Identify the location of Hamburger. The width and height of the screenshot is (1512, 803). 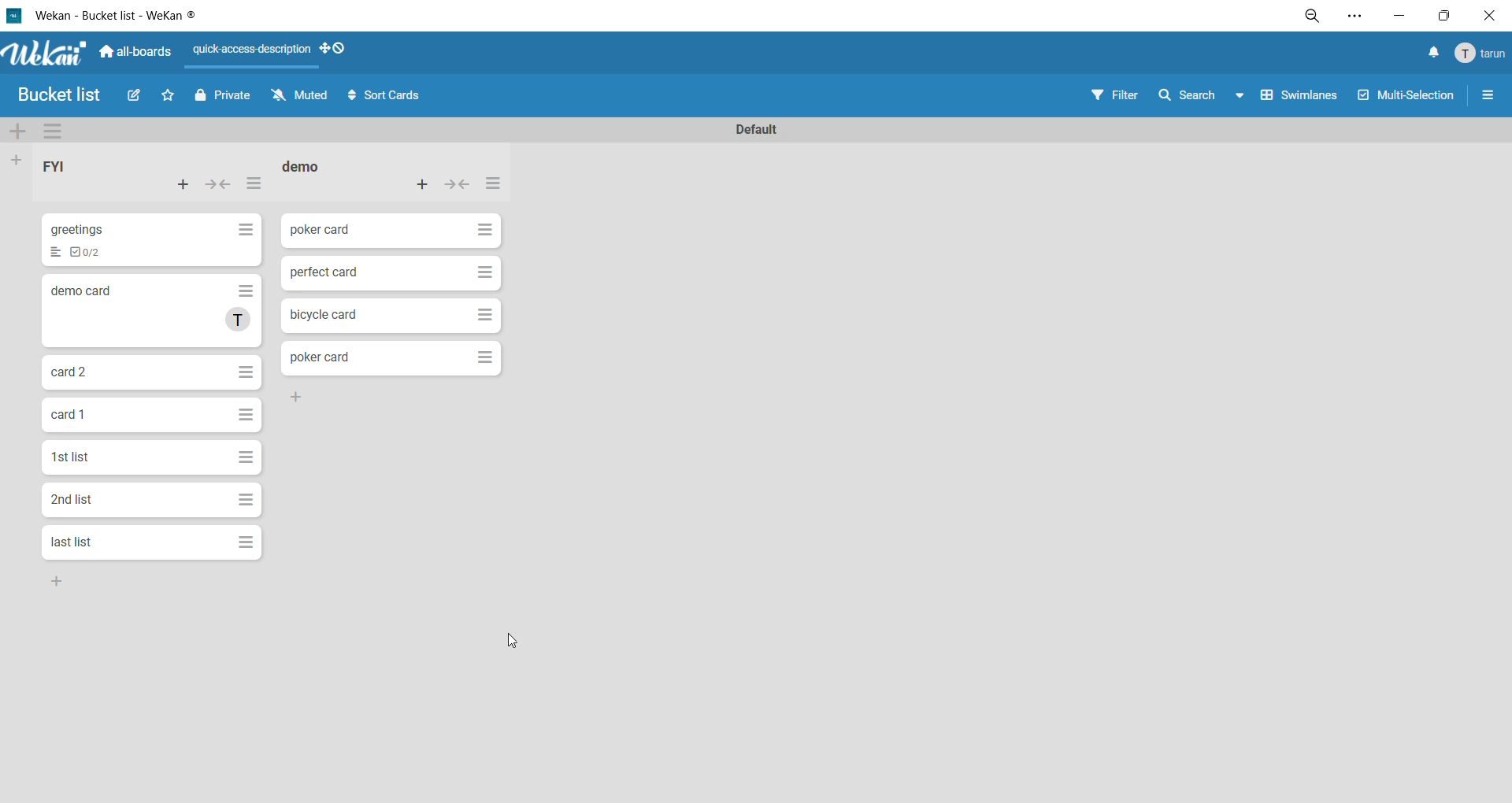
(243, 229).